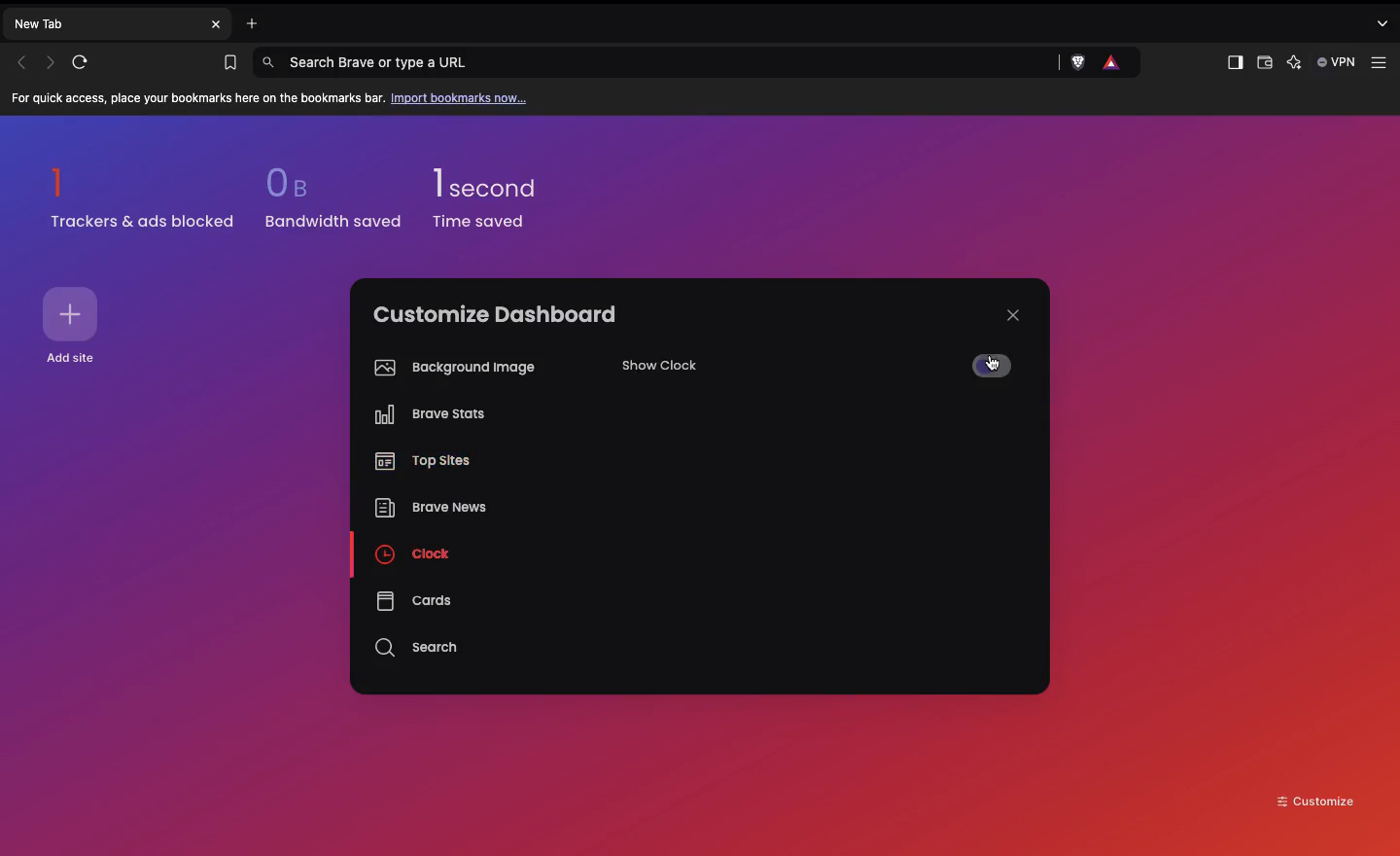 This screenshot has width=1400, height=856. What do you see at coordinates (1113, 63) in the screenshot?
I see `Rewards` at bounding box center [1113, 63].